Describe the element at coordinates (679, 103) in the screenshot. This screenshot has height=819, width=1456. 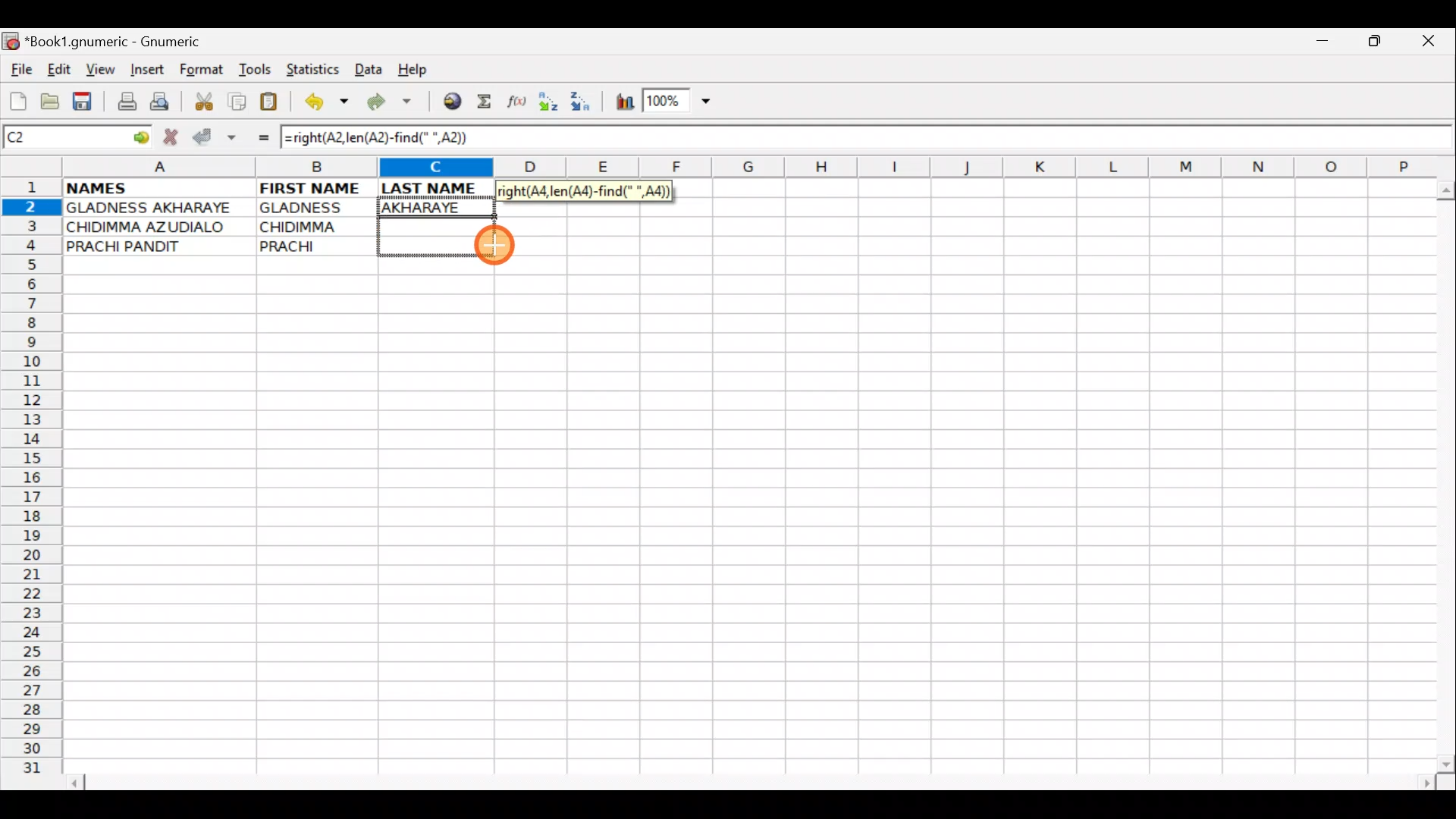
I see `Zoom` at that location.